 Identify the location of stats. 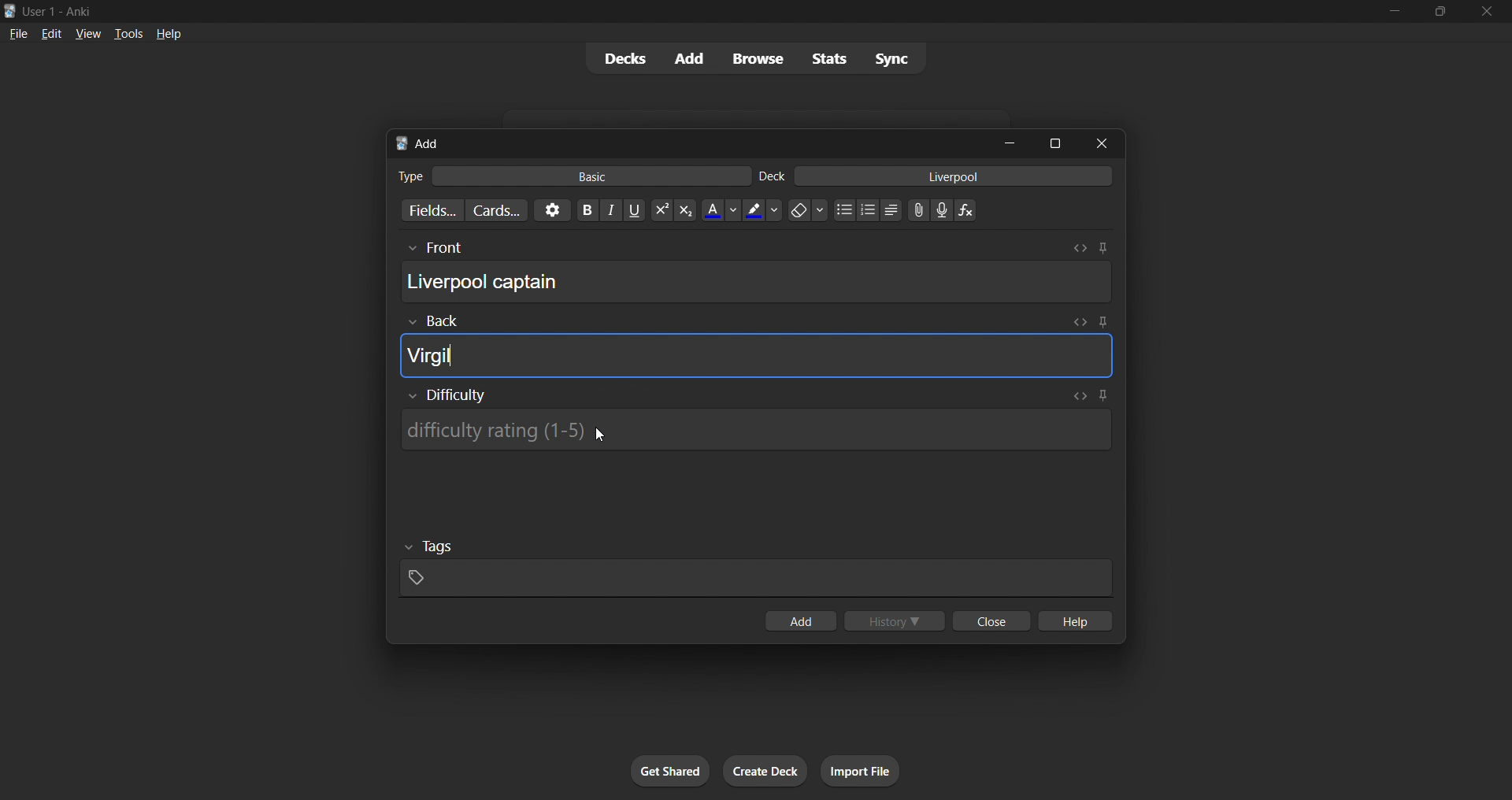
(828, 58).